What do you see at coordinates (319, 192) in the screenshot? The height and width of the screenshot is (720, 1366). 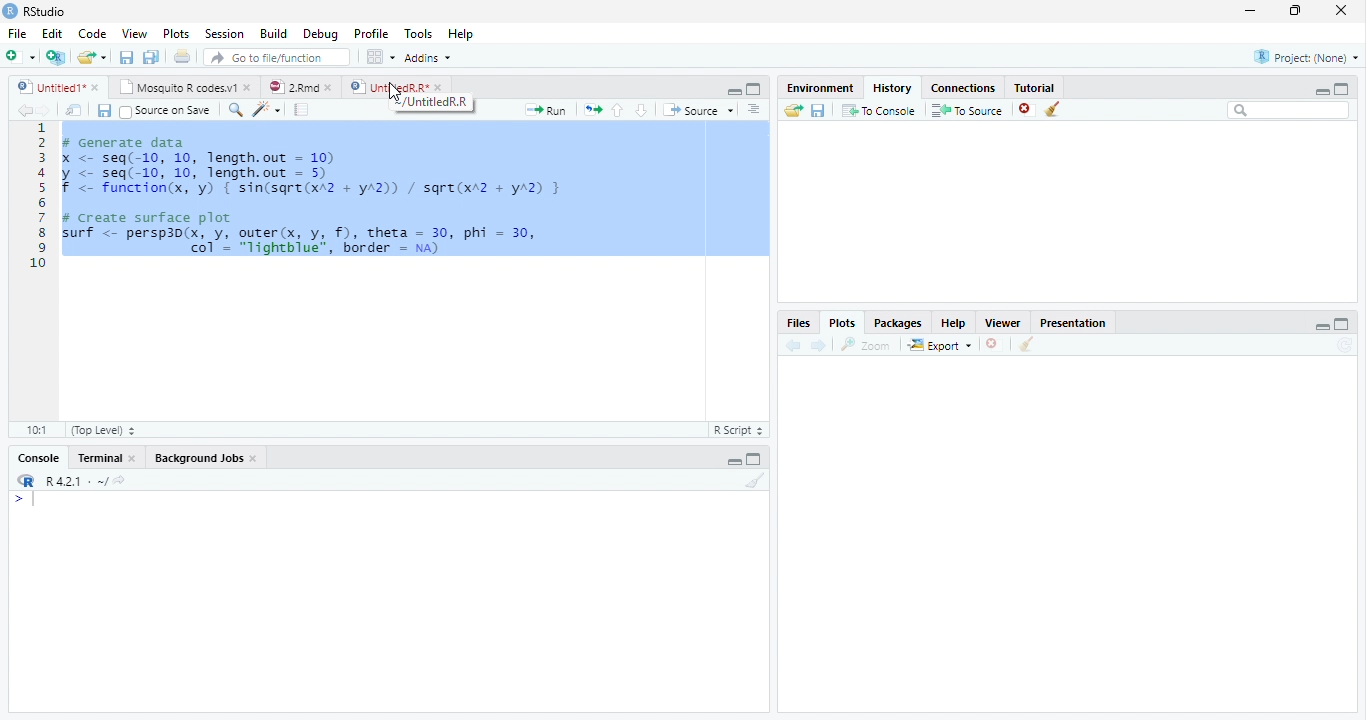 I see `# Generate data

x <- 5eq(-10, 10, length.out = 10)

y <- 5eq(-10, 10, length.out = 5)

f <- function(x, y) { sin(sqrt(xA2 + yA2)) / sqrt(xA2 + yA2) }

# create surface plot

surf <- persp3o(x, y, outer(x, y, f), theta = 30, phi = 30,
col = "Tightbiue", border = NA)` at bounding box center [319, 192].